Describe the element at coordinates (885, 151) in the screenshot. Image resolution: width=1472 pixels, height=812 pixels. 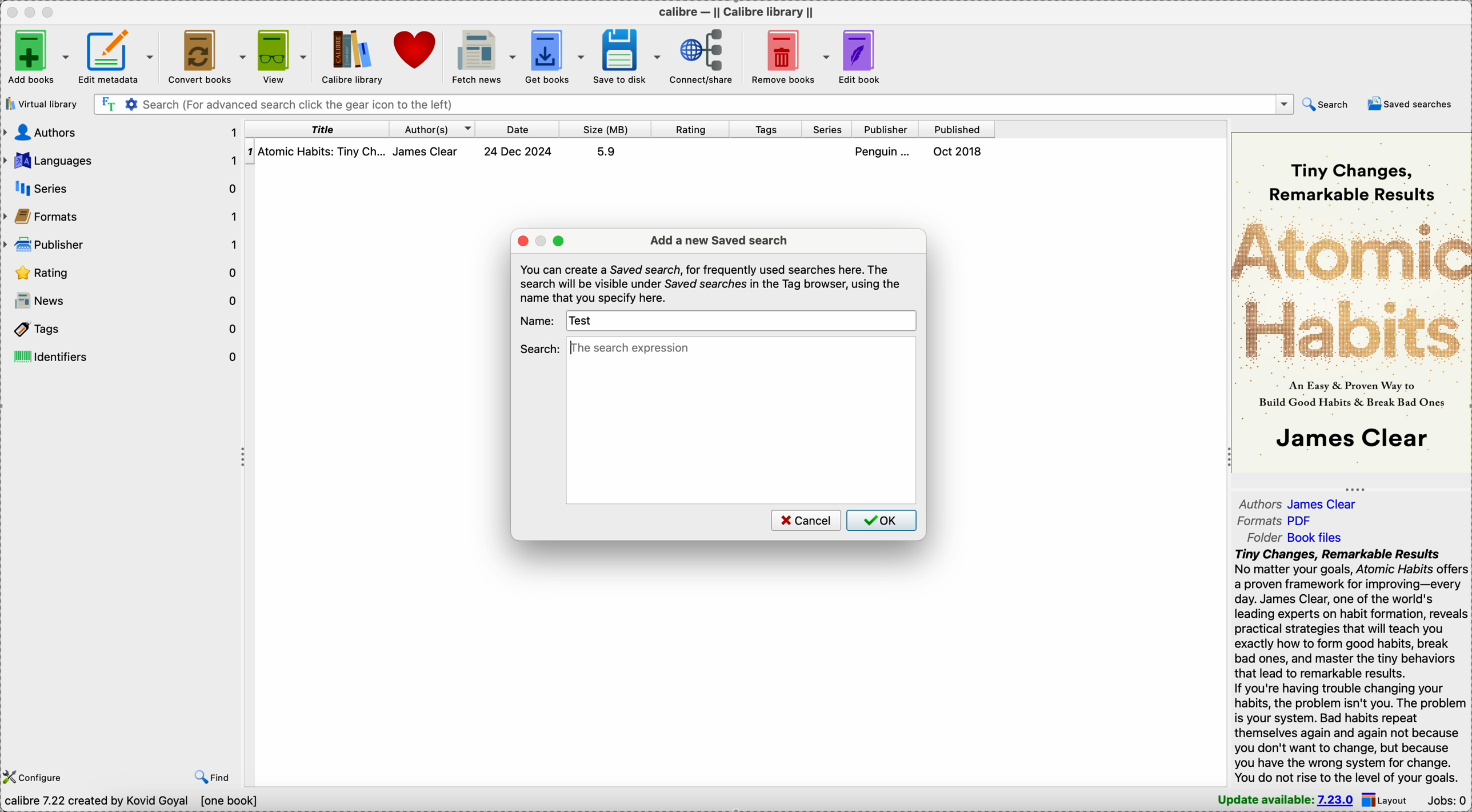
I see `penguin...` at that location.